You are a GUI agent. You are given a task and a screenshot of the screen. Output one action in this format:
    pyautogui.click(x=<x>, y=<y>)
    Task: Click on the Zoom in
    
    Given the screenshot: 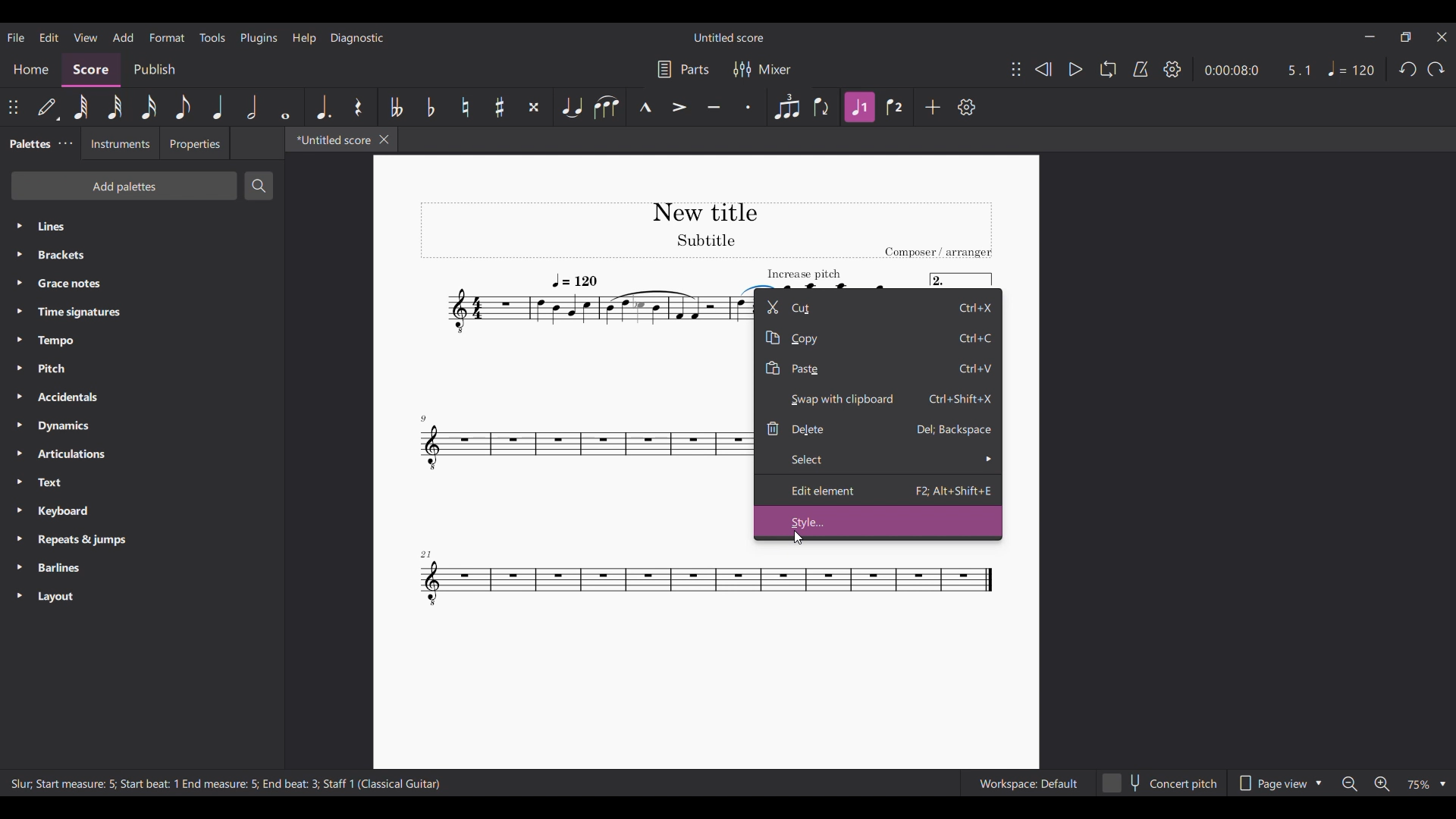 What is the action you would take?
    pyautogui.click(x=1380, y=783)
    